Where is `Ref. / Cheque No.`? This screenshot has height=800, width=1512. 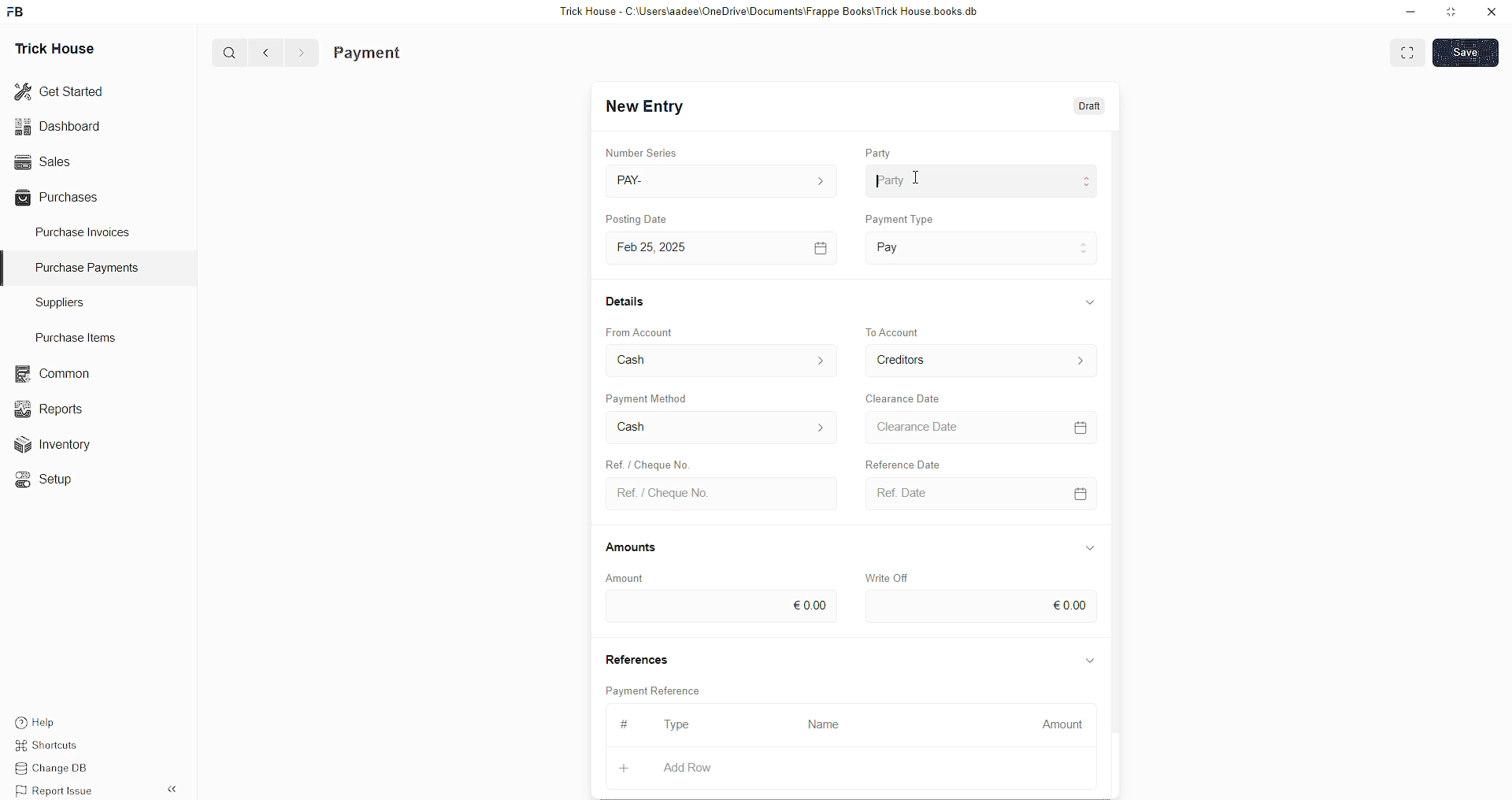 Ref. / Cheque No. is located at coordinates (663, 492).